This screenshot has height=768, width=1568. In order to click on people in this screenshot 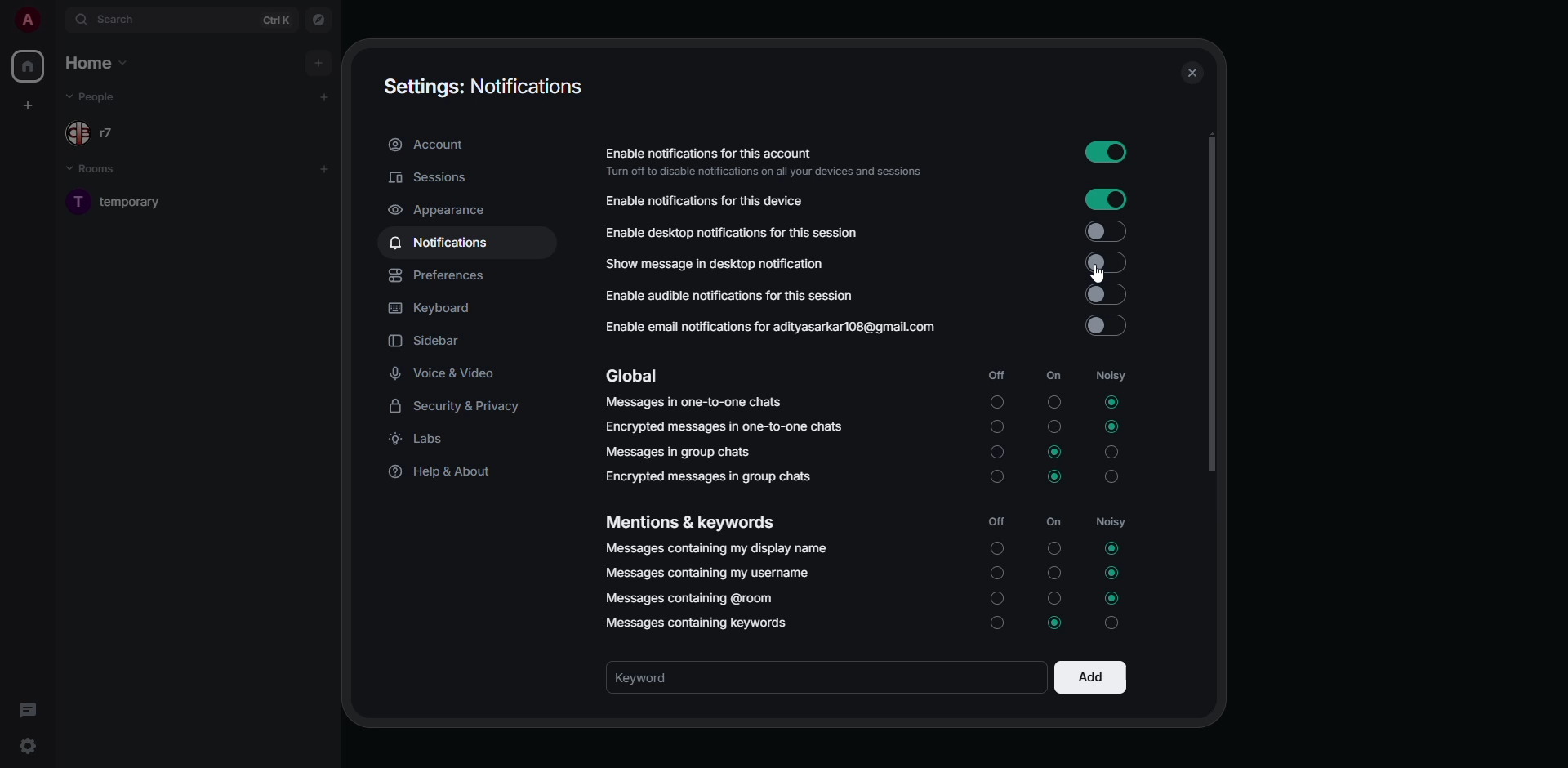, I will do `click(101, 96)`.